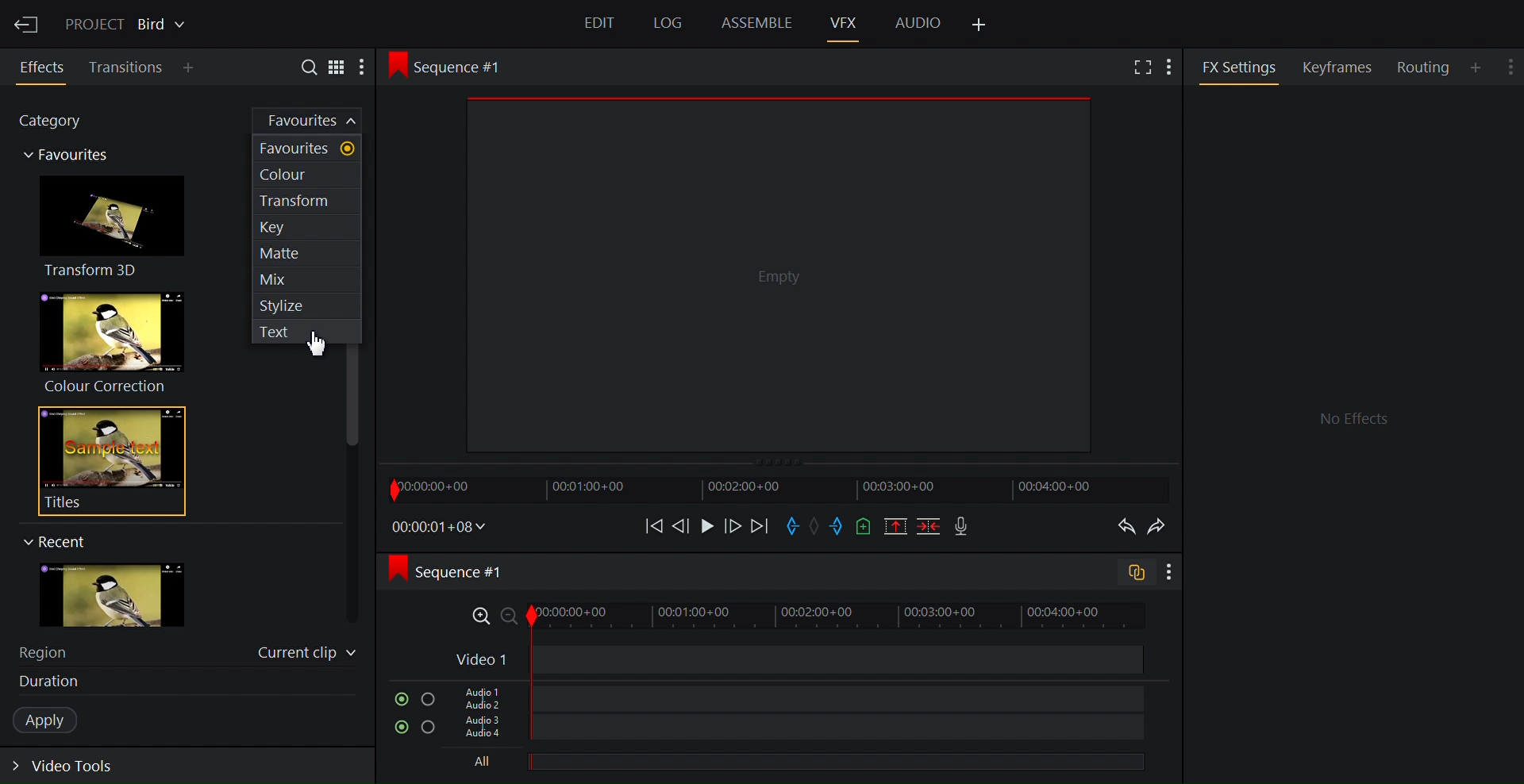  Describe the element at coordinates (308, 252) in the screenshot. I see `Matte` at that location.